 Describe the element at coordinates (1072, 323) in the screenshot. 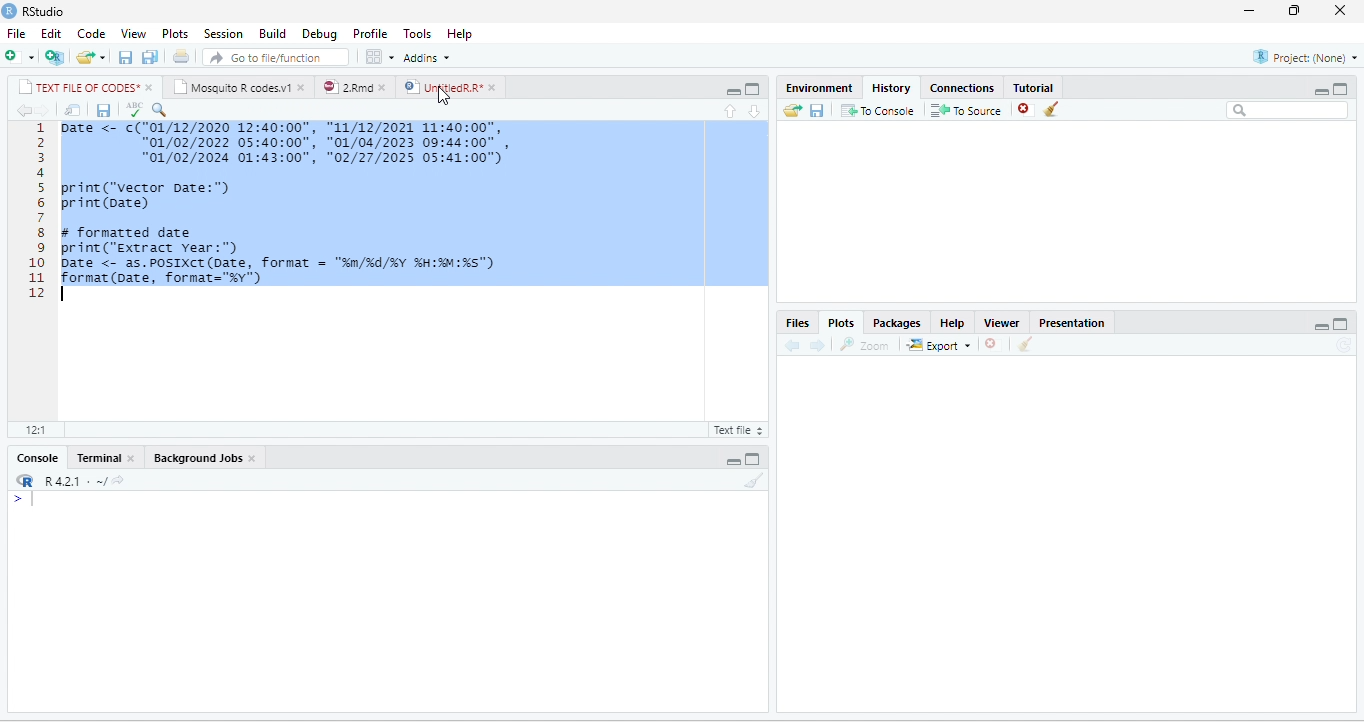

I see `Presentation` at that location.